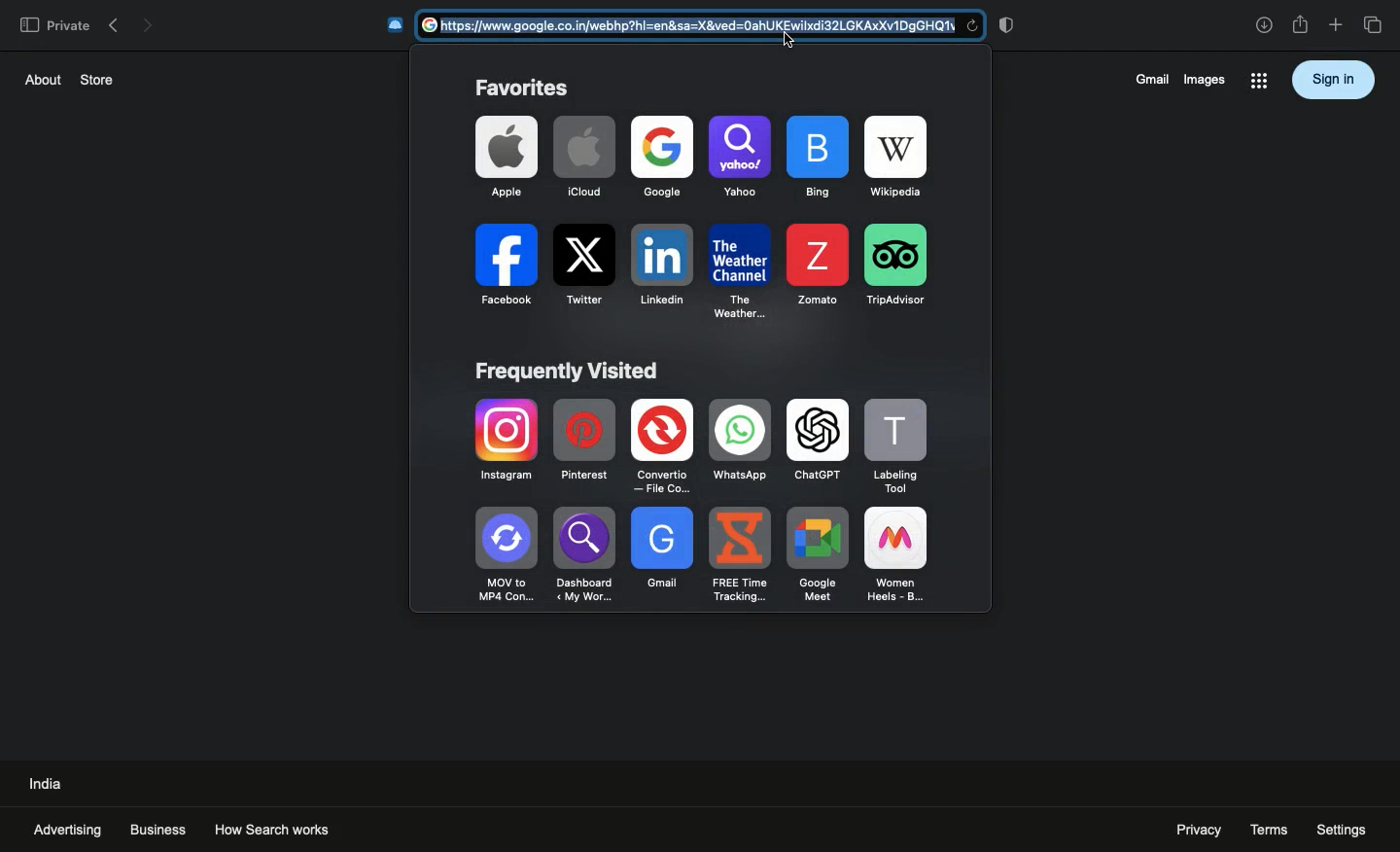 Image resolution: width=1400 pixels, height=852 pixels. I want to click on favorites, so click(521, 88).